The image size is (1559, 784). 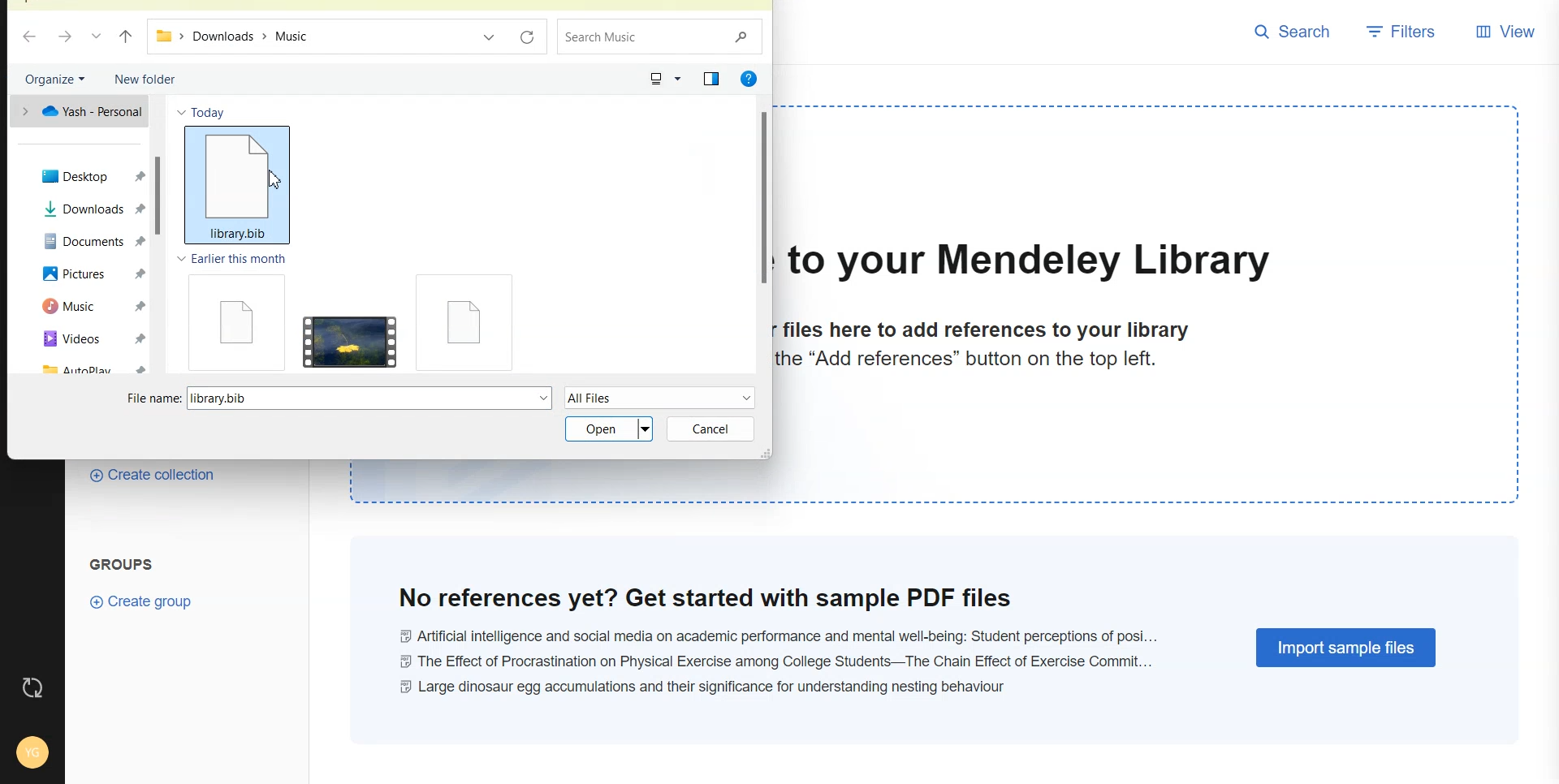 What do you see at coordinates (123, 563) in the screenshot?
I see `Groups` at bounding box center [123, 563].